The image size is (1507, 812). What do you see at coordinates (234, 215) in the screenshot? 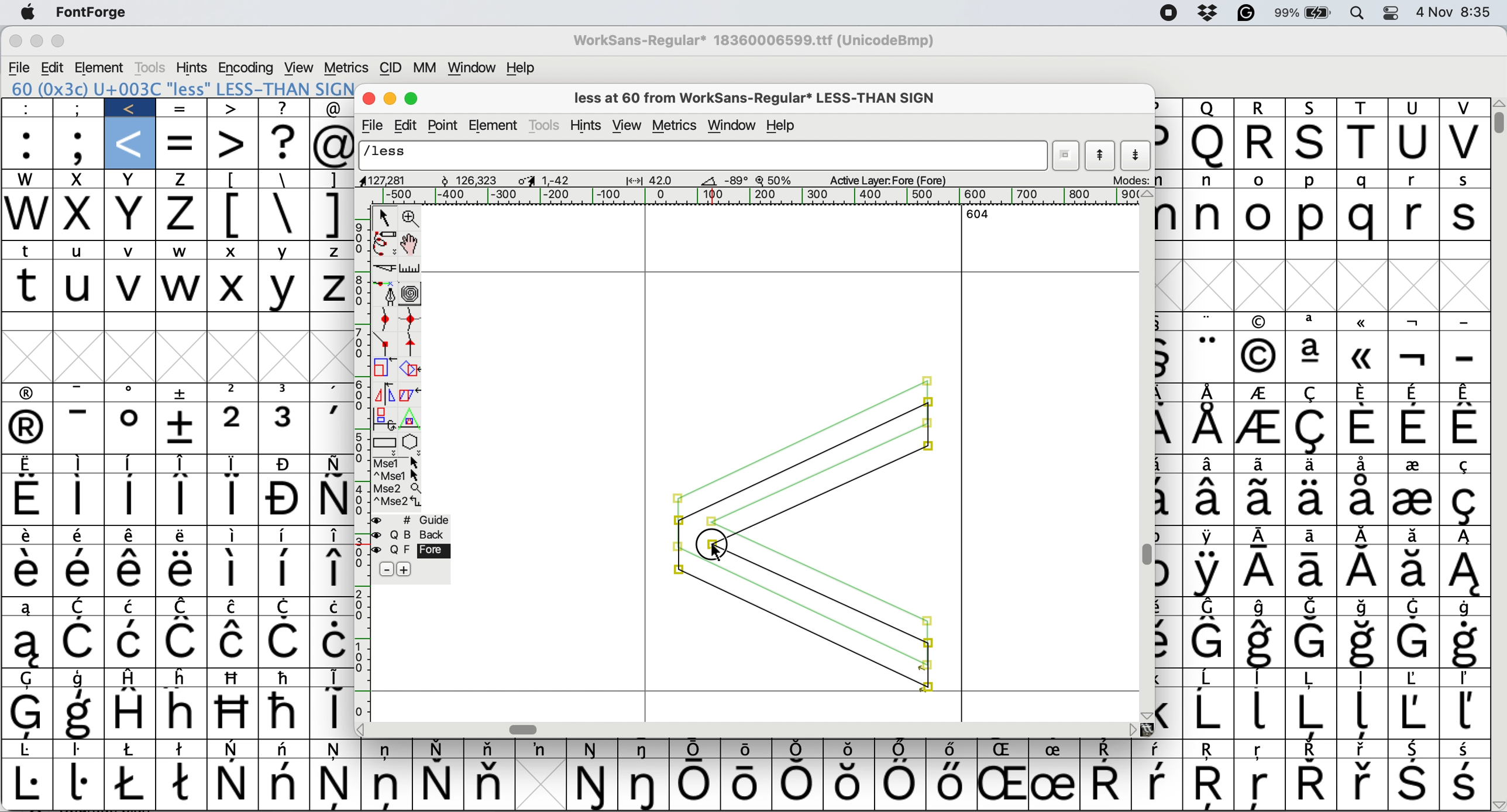
I see `[` at bounding box center [234, 215].